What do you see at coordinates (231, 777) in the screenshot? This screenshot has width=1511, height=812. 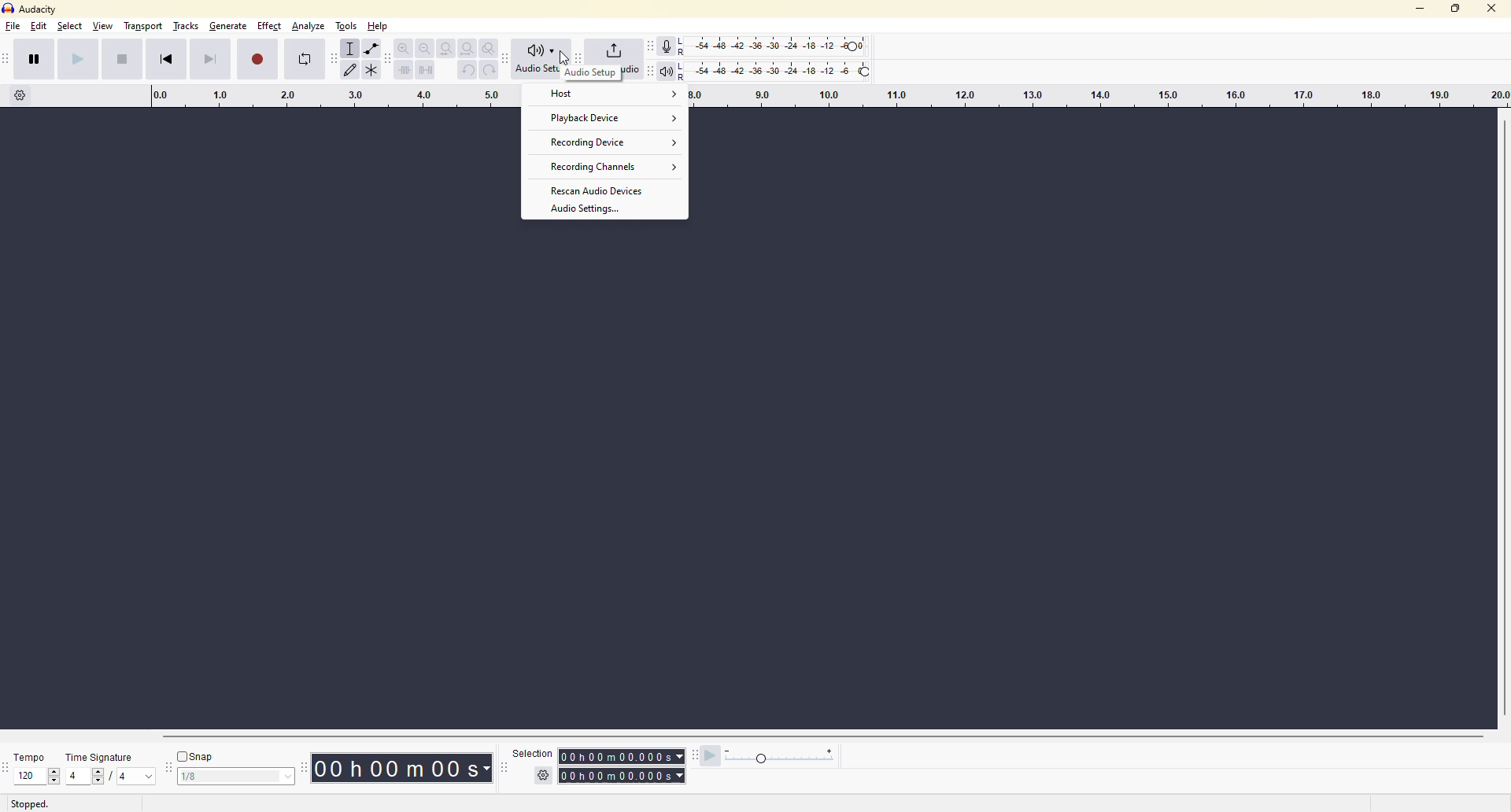 I see `value` at bounding box center [231, 777].